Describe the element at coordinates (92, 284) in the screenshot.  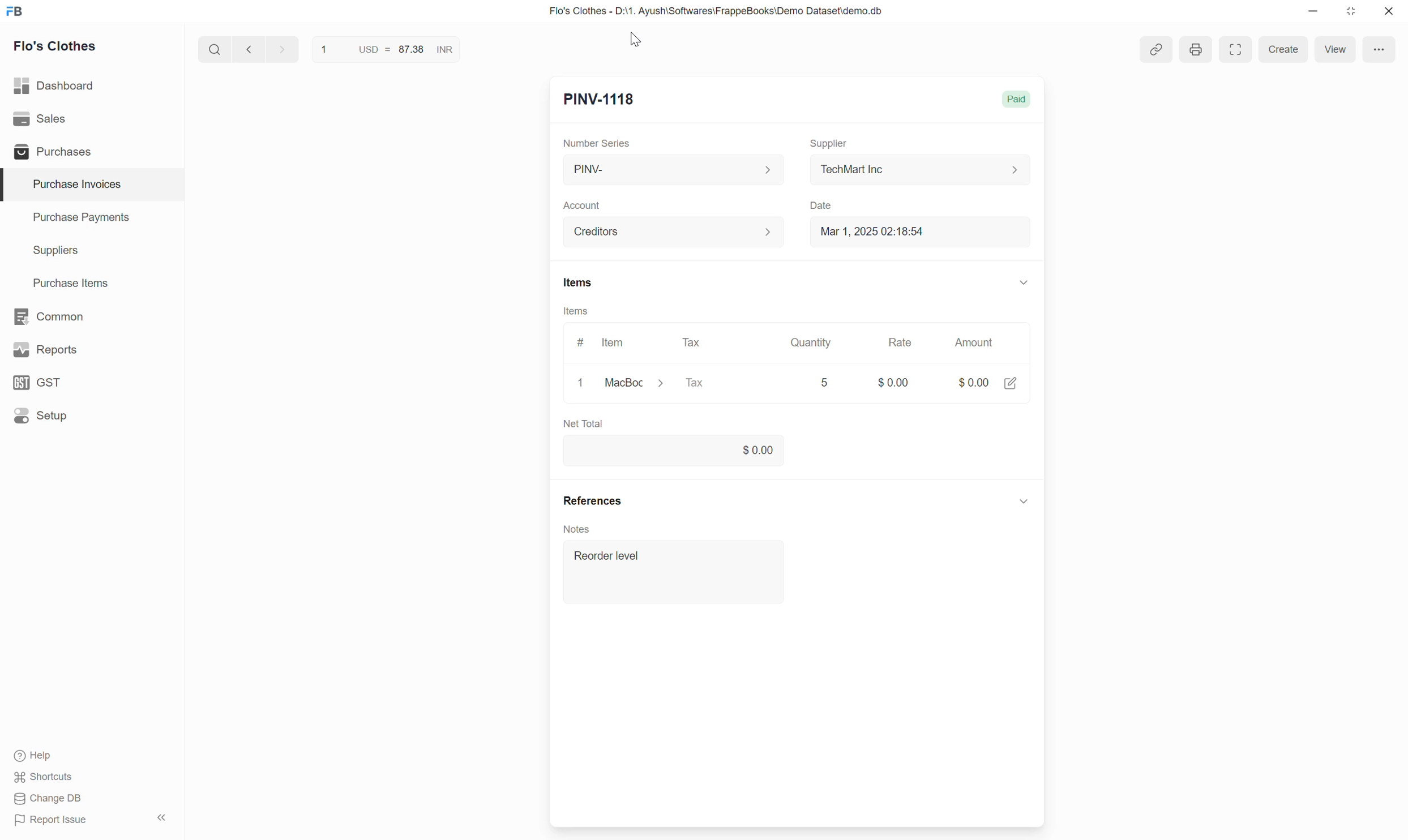
I see `Purchase Items` at that location.